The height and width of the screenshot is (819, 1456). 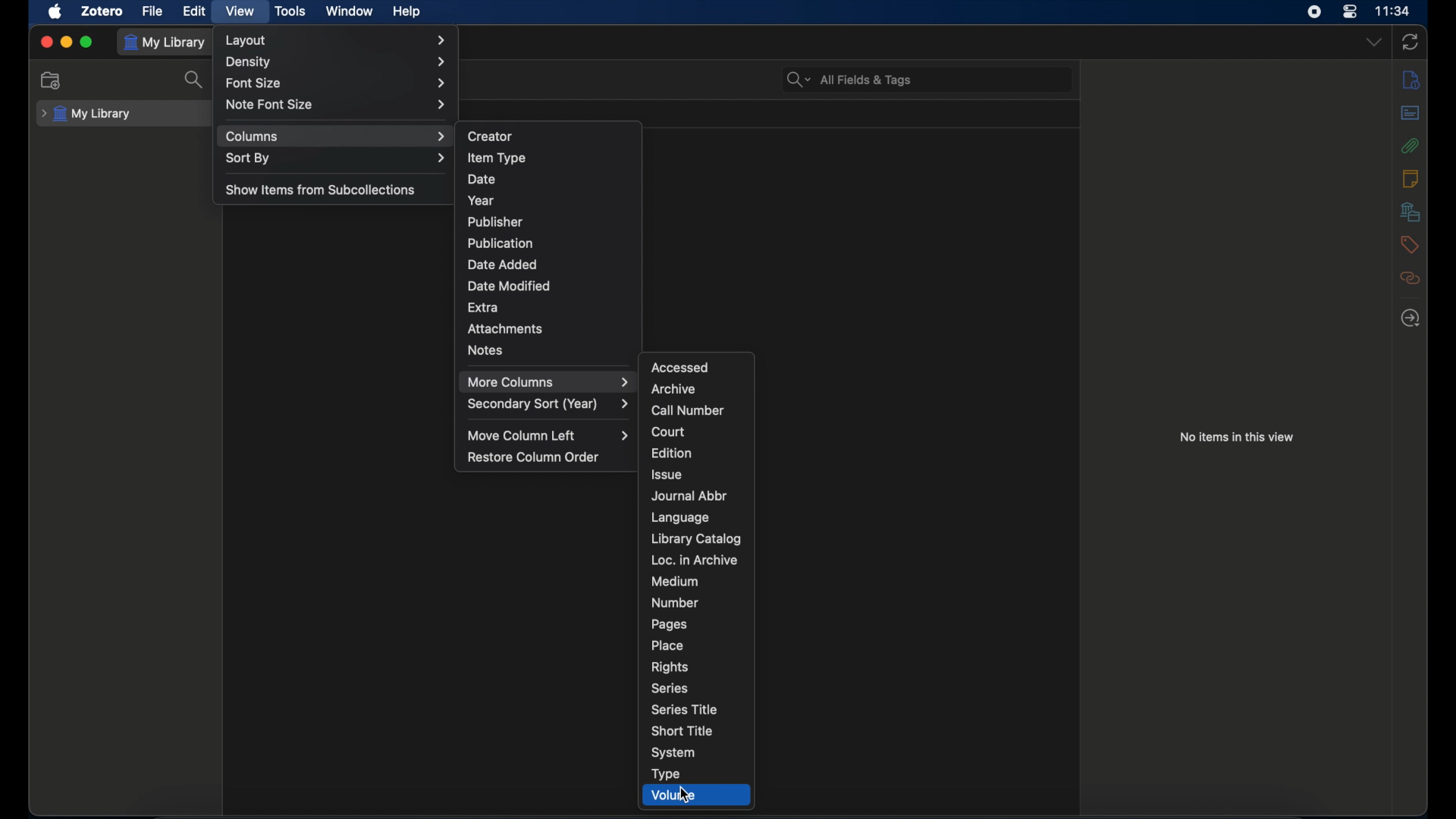 What do you see at coordinates (67, 43) in the screenshot?
I see `minimize` at bounding box center [67, 43].